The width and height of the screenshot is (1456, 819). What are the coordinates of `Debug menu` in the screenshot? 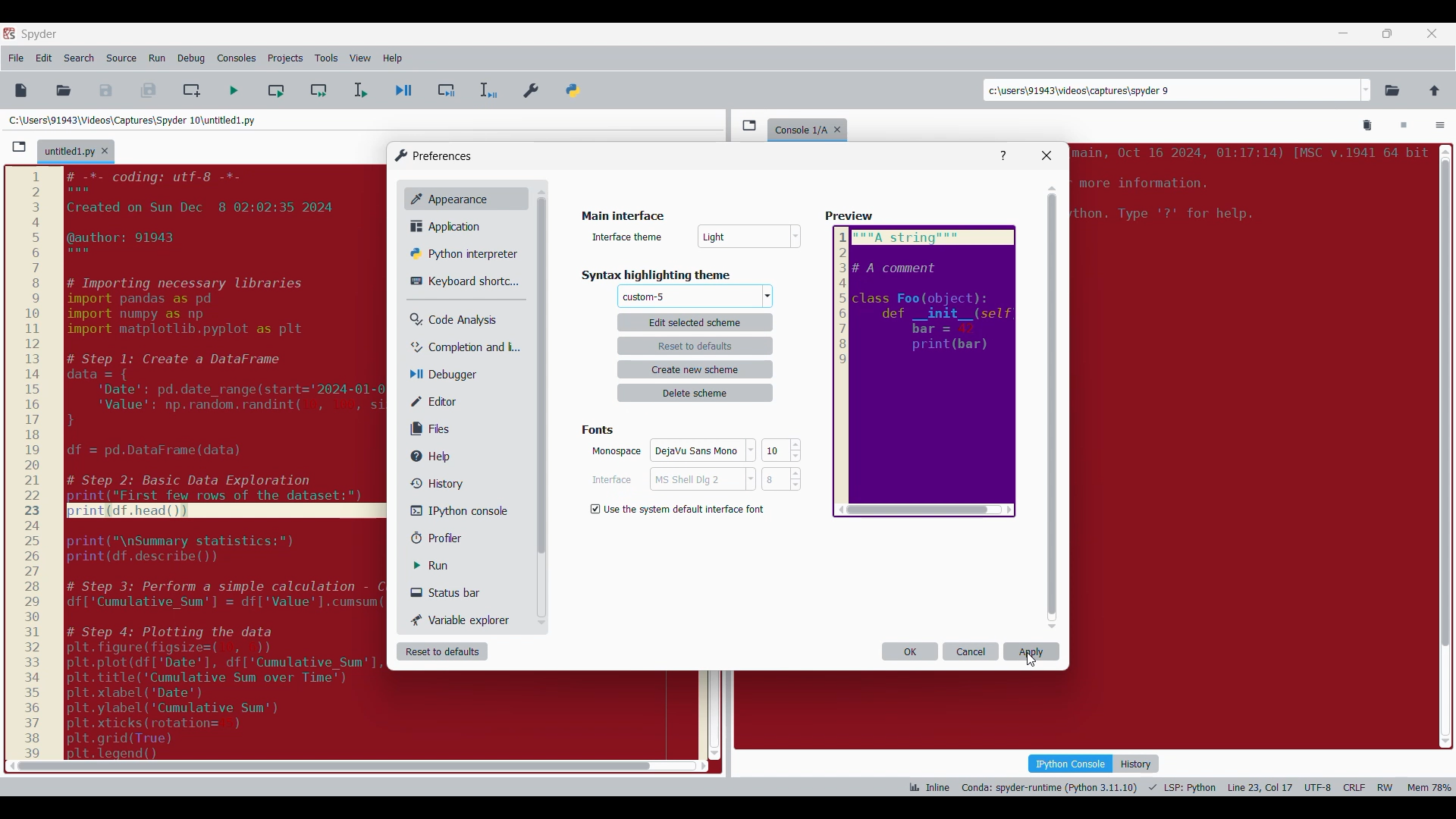 It's located at (191, 58).